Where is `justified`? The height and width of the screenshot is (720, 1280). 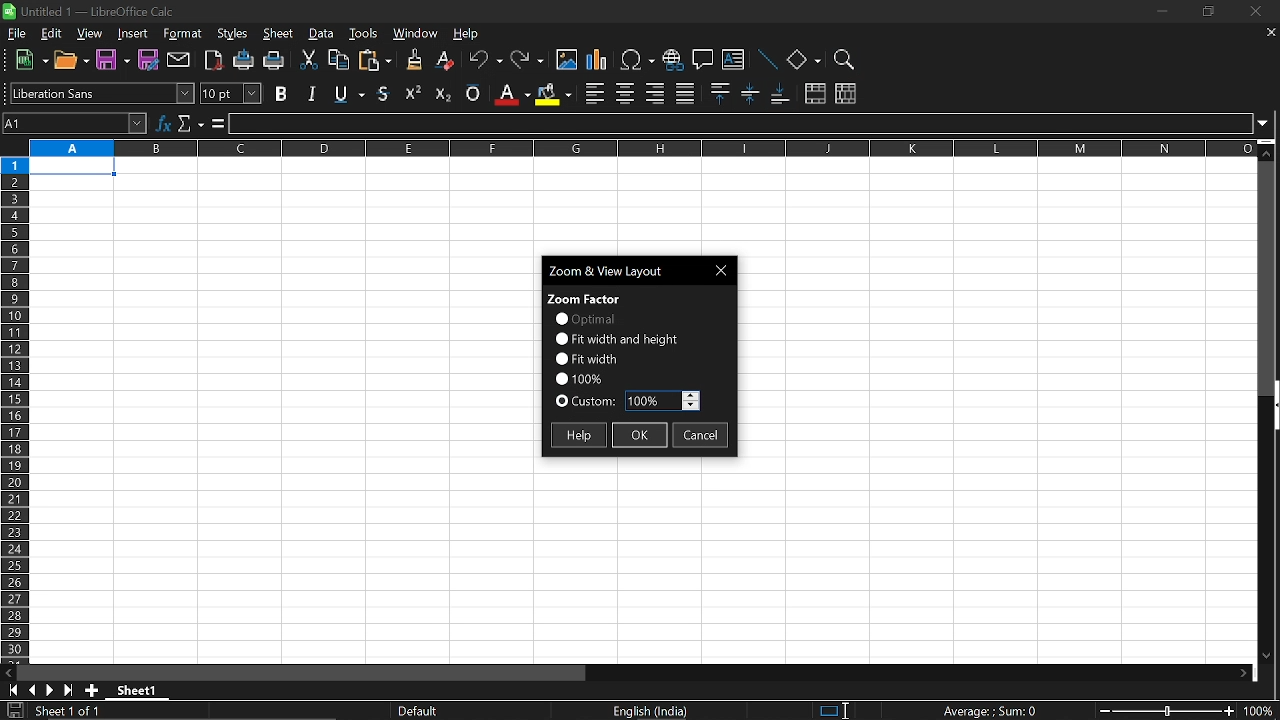
justified is located at coordinates (686, 94).